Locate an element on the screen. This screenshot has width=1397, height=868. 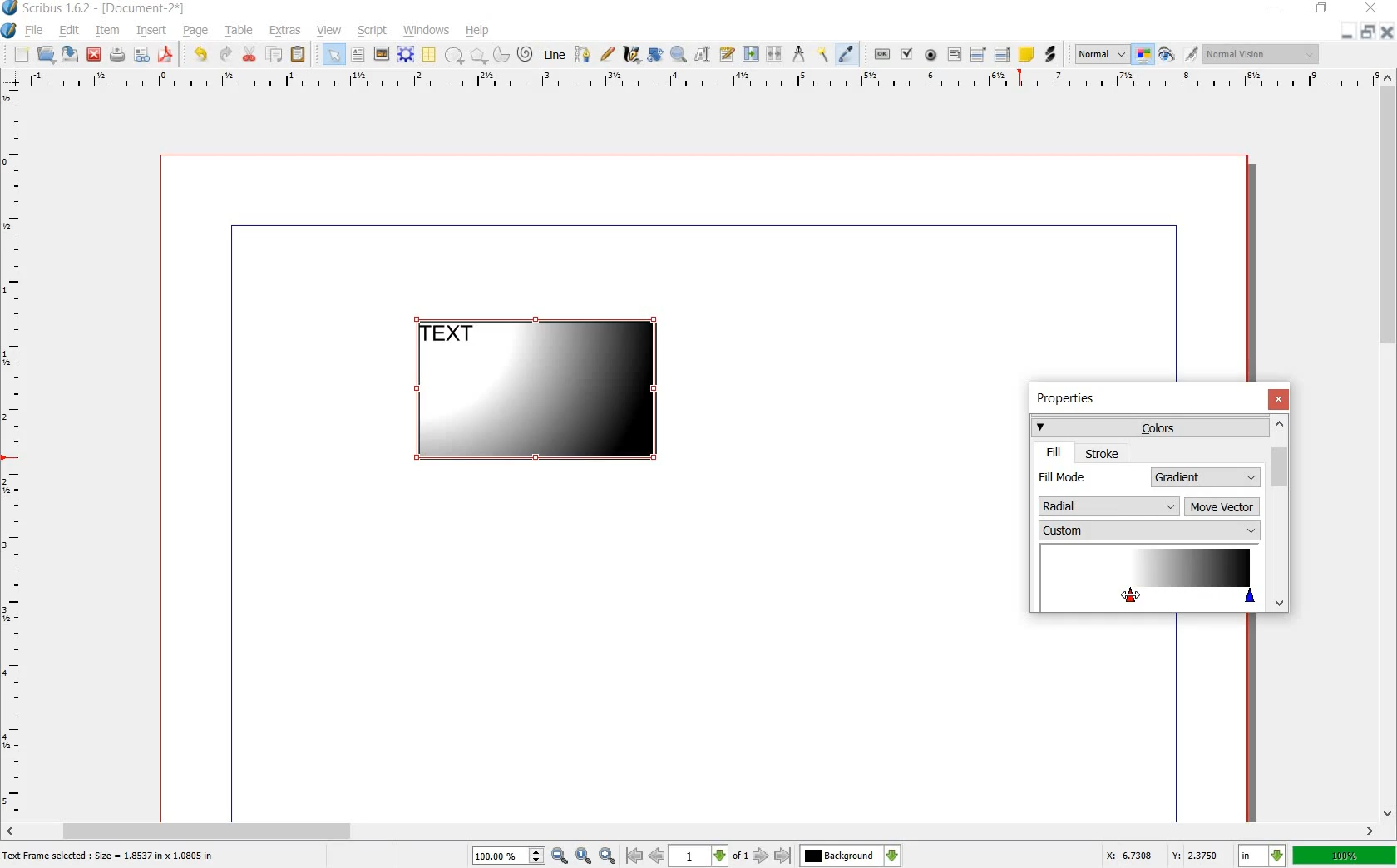
color stop is located at coordinates (1150, 578).